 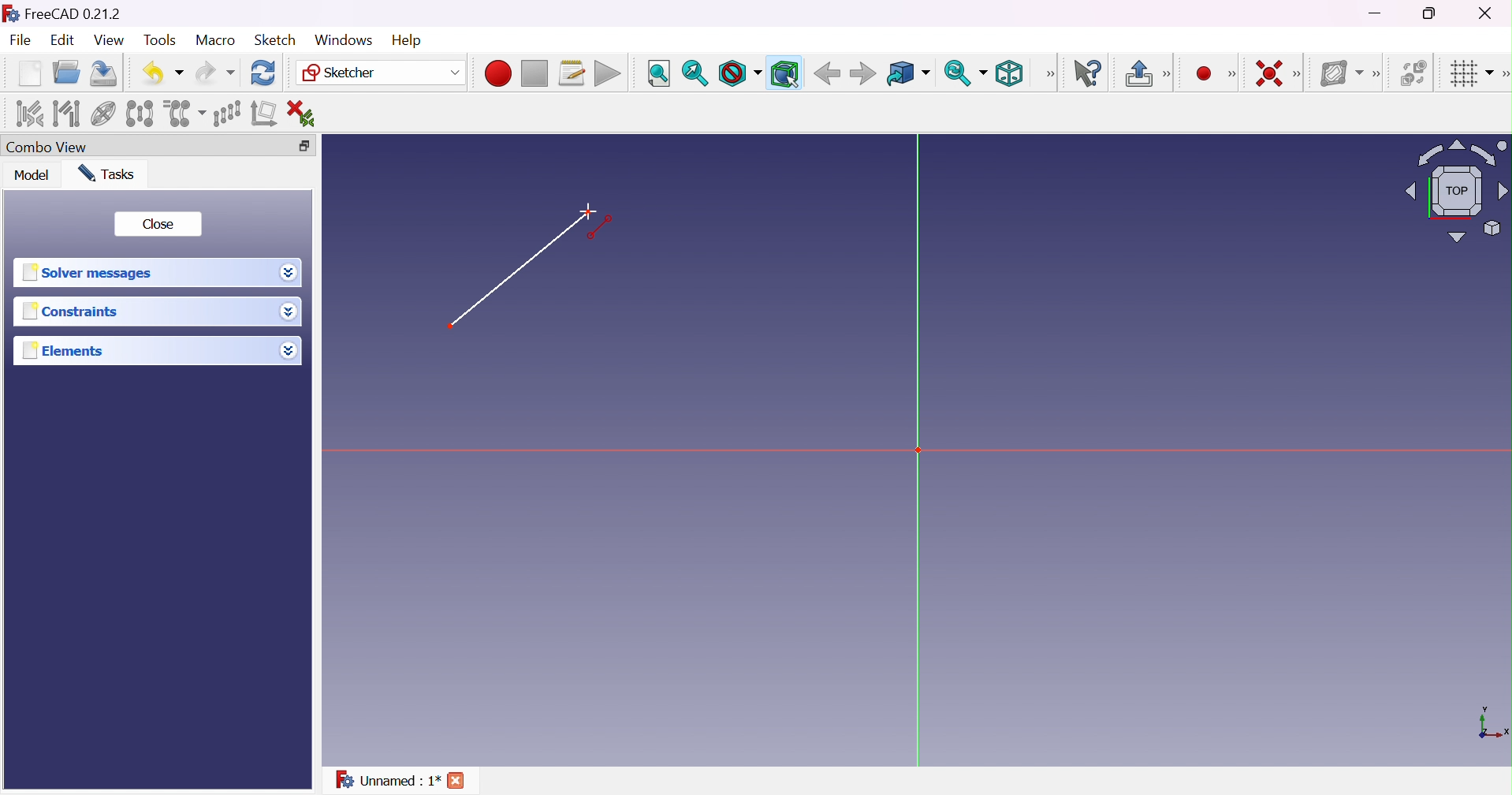 What do you see at coordinates (159, 41) in the screenshot?
I see `Tools` at bounding box center [159, 41].